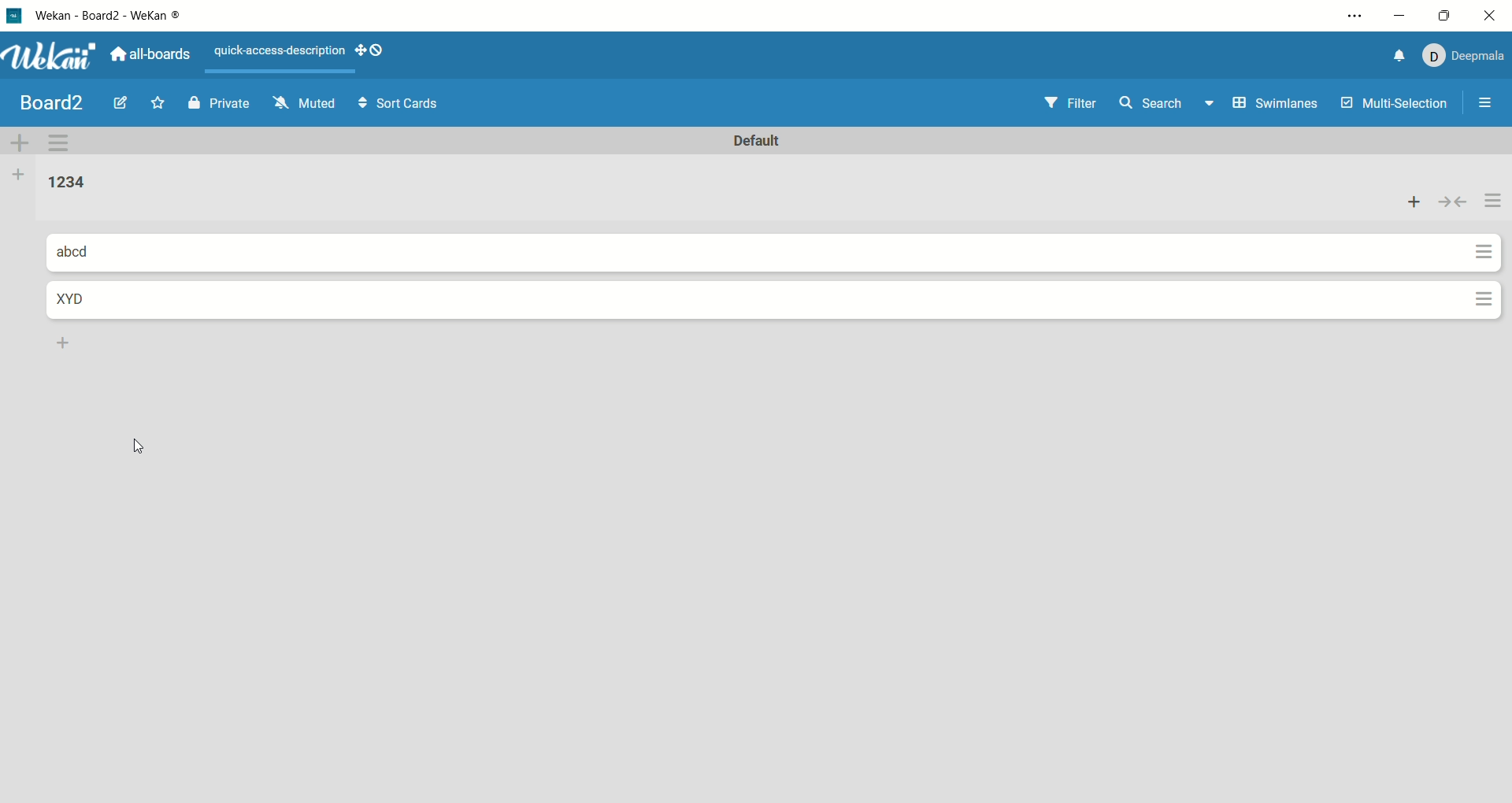 The image size is (1512, 803). What do you see at coordinates (1170, 101) in the screenshot?
I see `search` at bounding box center [1170, 101].